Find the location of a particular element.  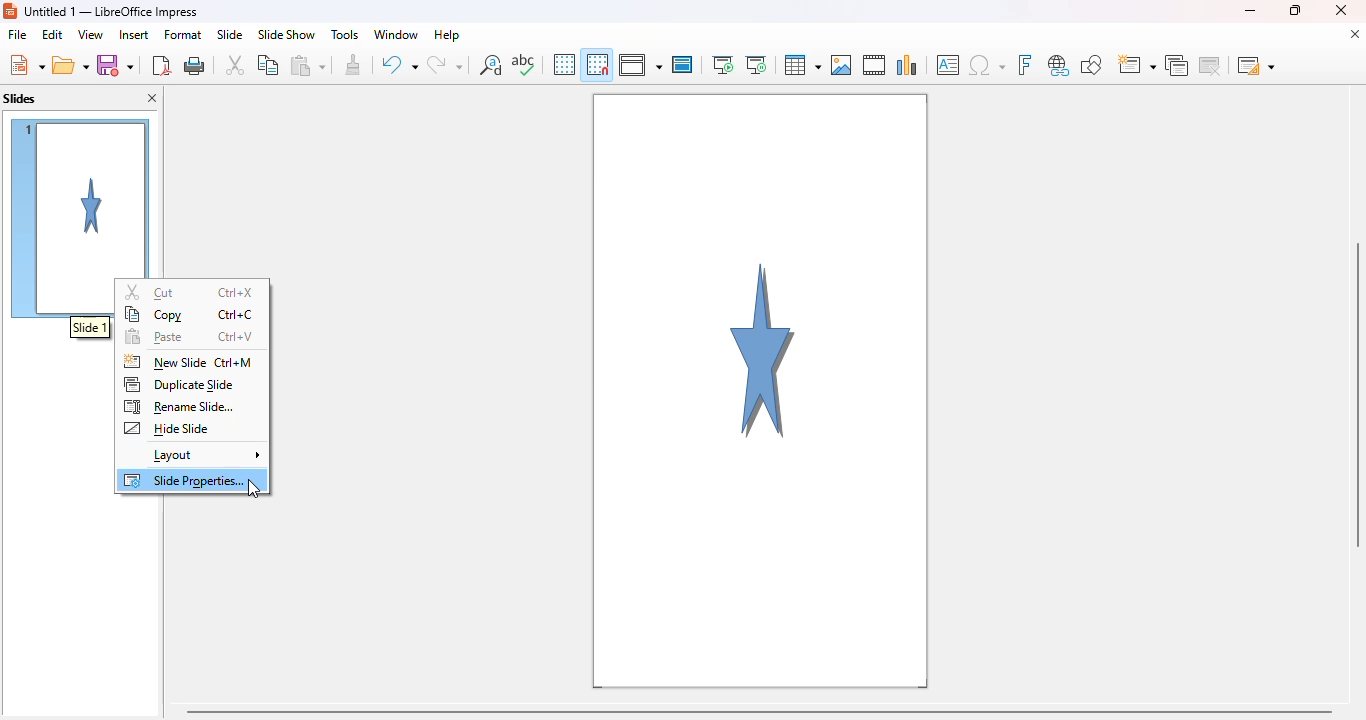

paste is located at coordinates (307, 64).